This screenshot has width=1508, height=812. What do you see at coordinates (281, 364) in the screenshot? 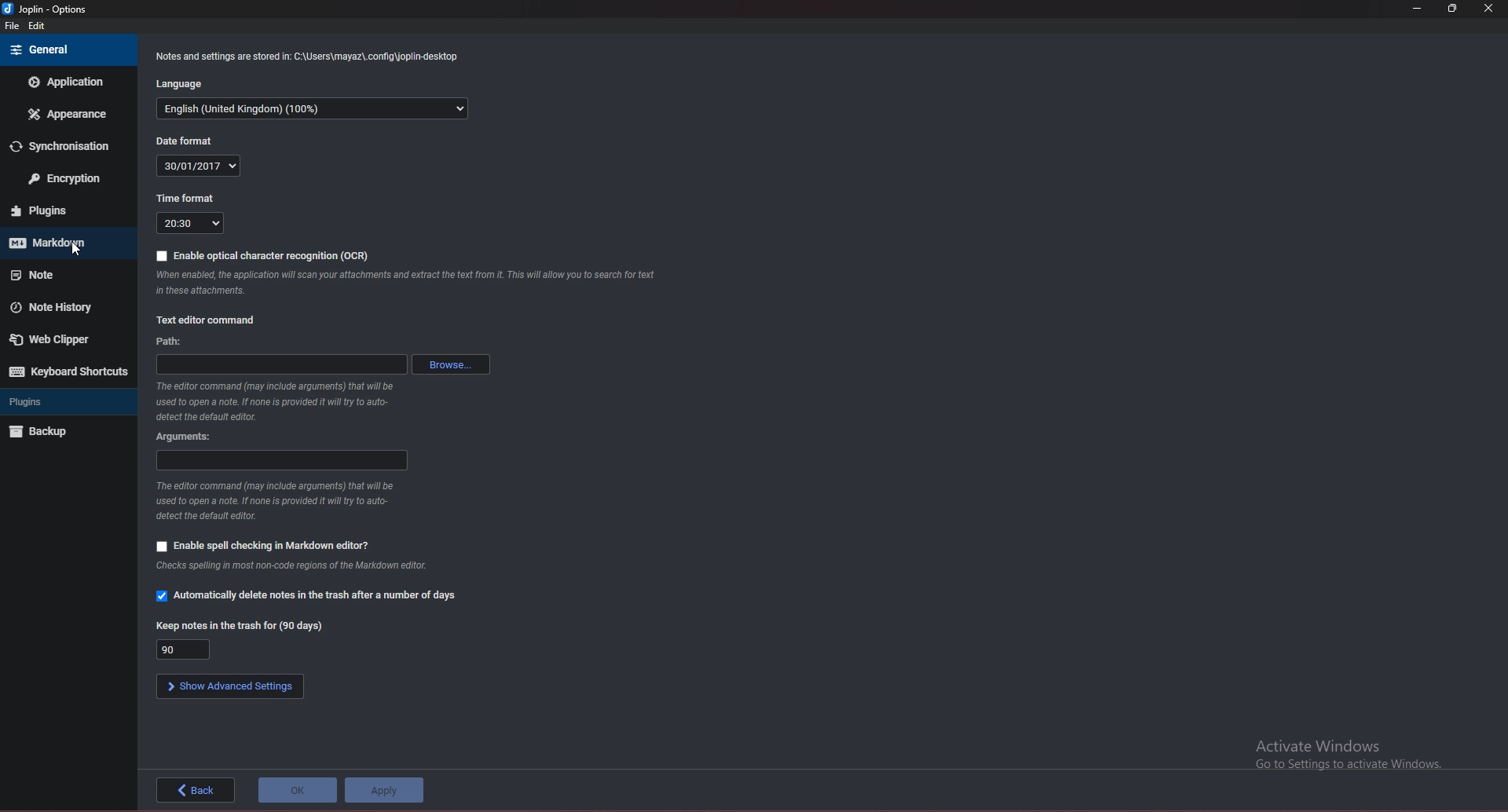
I see `path` at bounding box center [281, 364].